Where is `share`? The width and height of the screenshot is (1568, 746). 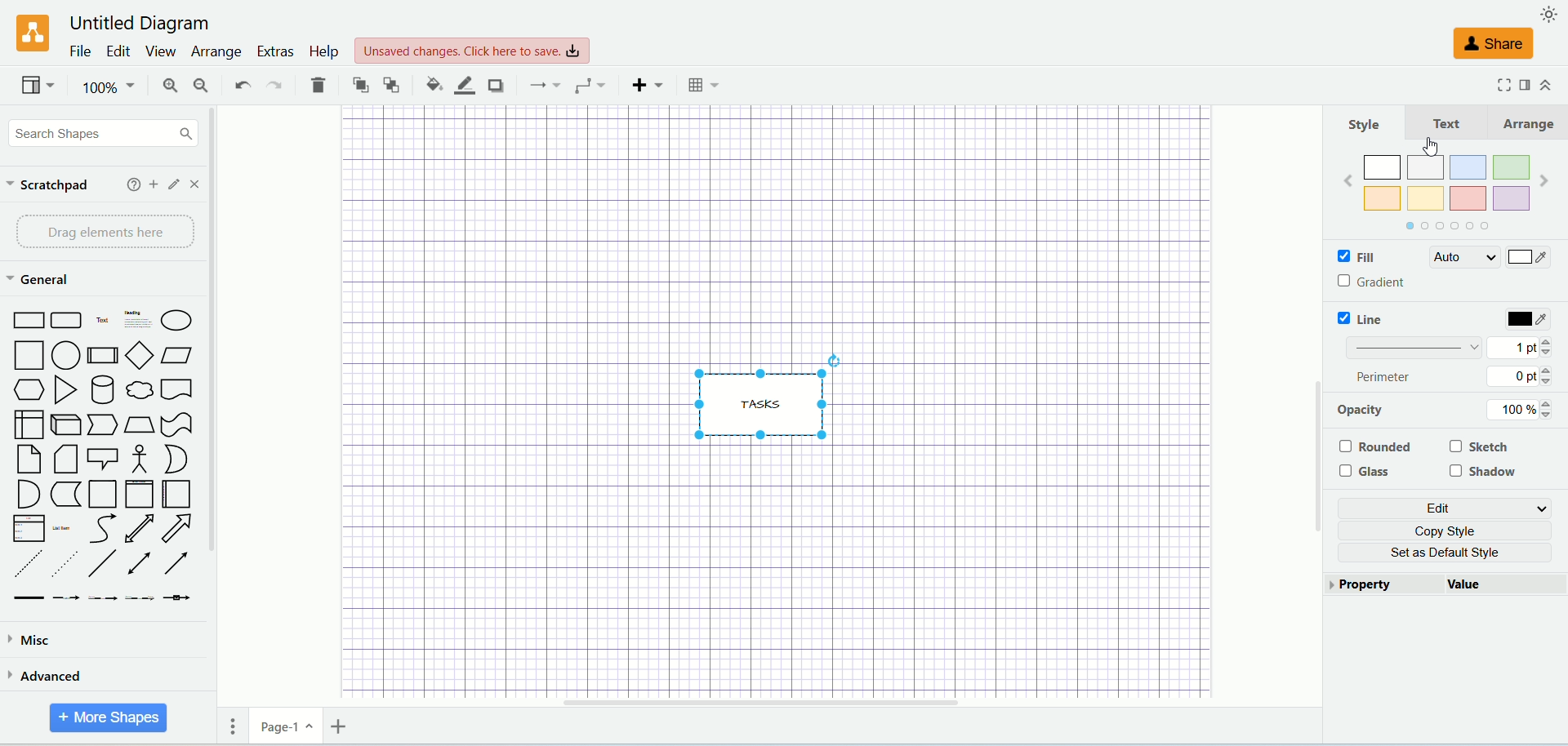 share is located at coordinates (1495, 45).